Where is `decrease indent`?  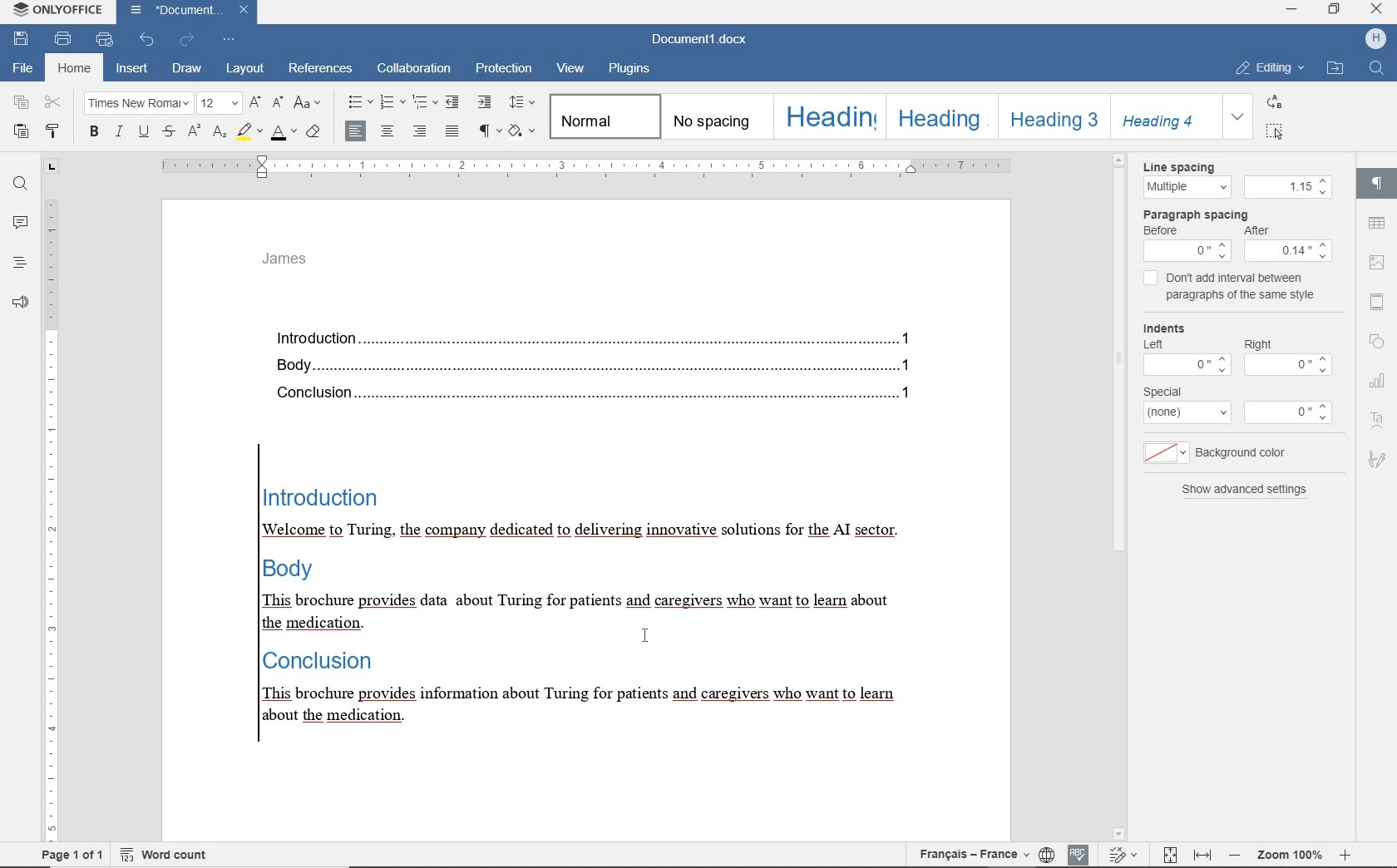 decrease indent is located at coordinates (453, 102).